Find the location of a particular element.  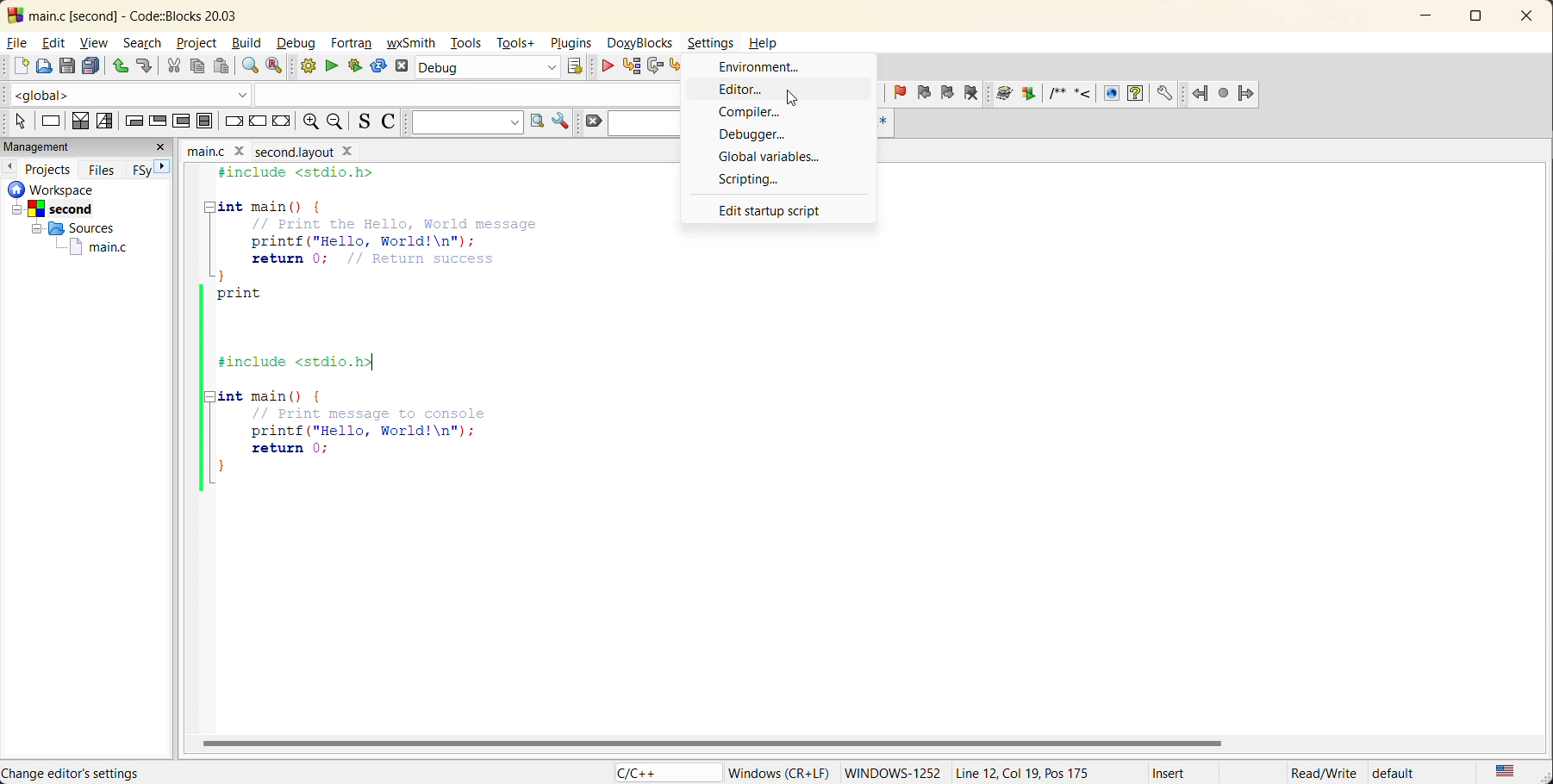

jump forward is located at coordinates (1247, 94).